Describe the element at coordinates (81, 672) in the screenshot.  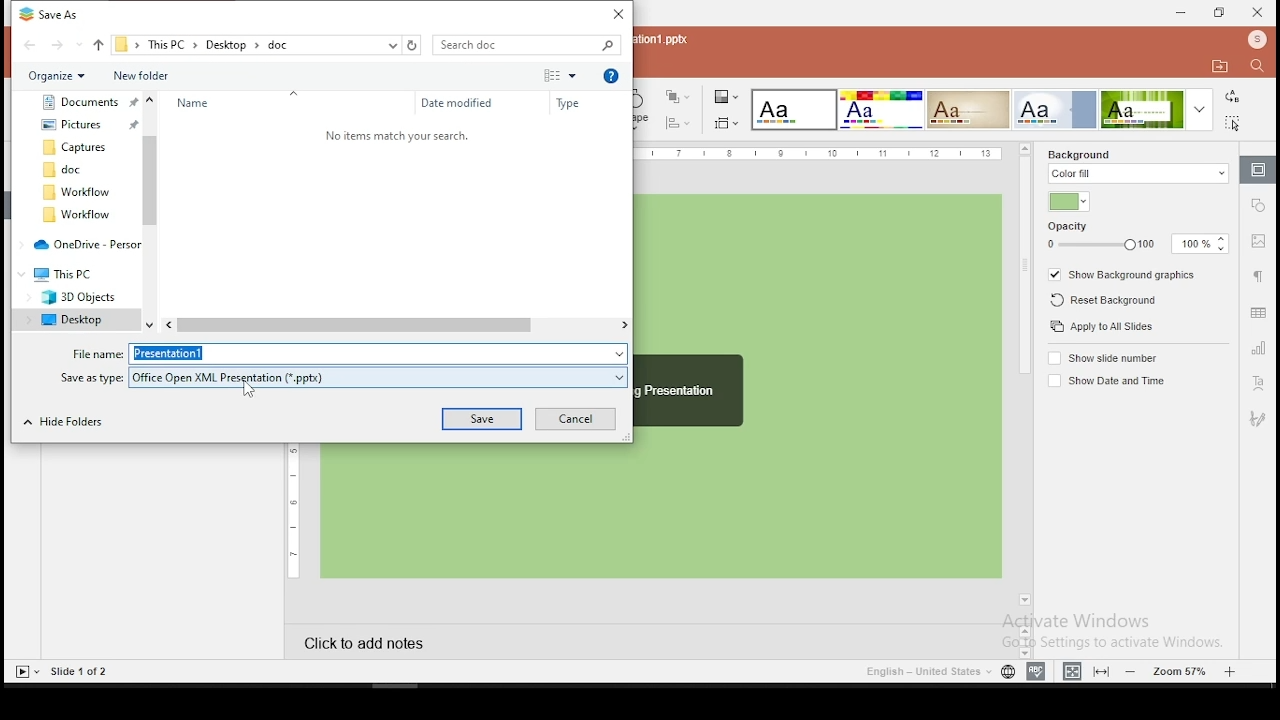
I see `Slide 1 of 2` at that location.